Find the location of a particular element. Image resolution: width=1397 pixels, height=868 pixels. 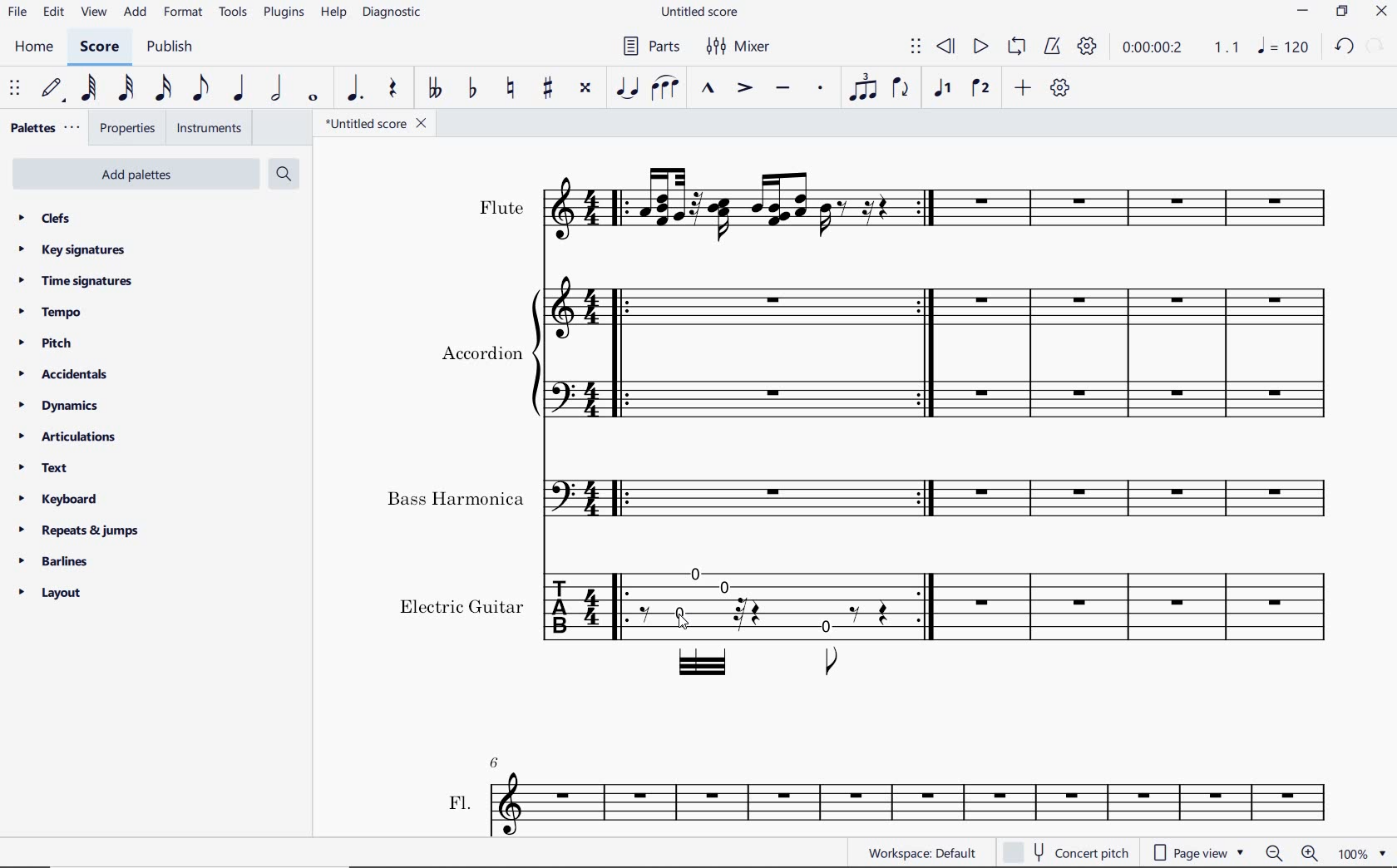

play is located at coordinates (979, 47).